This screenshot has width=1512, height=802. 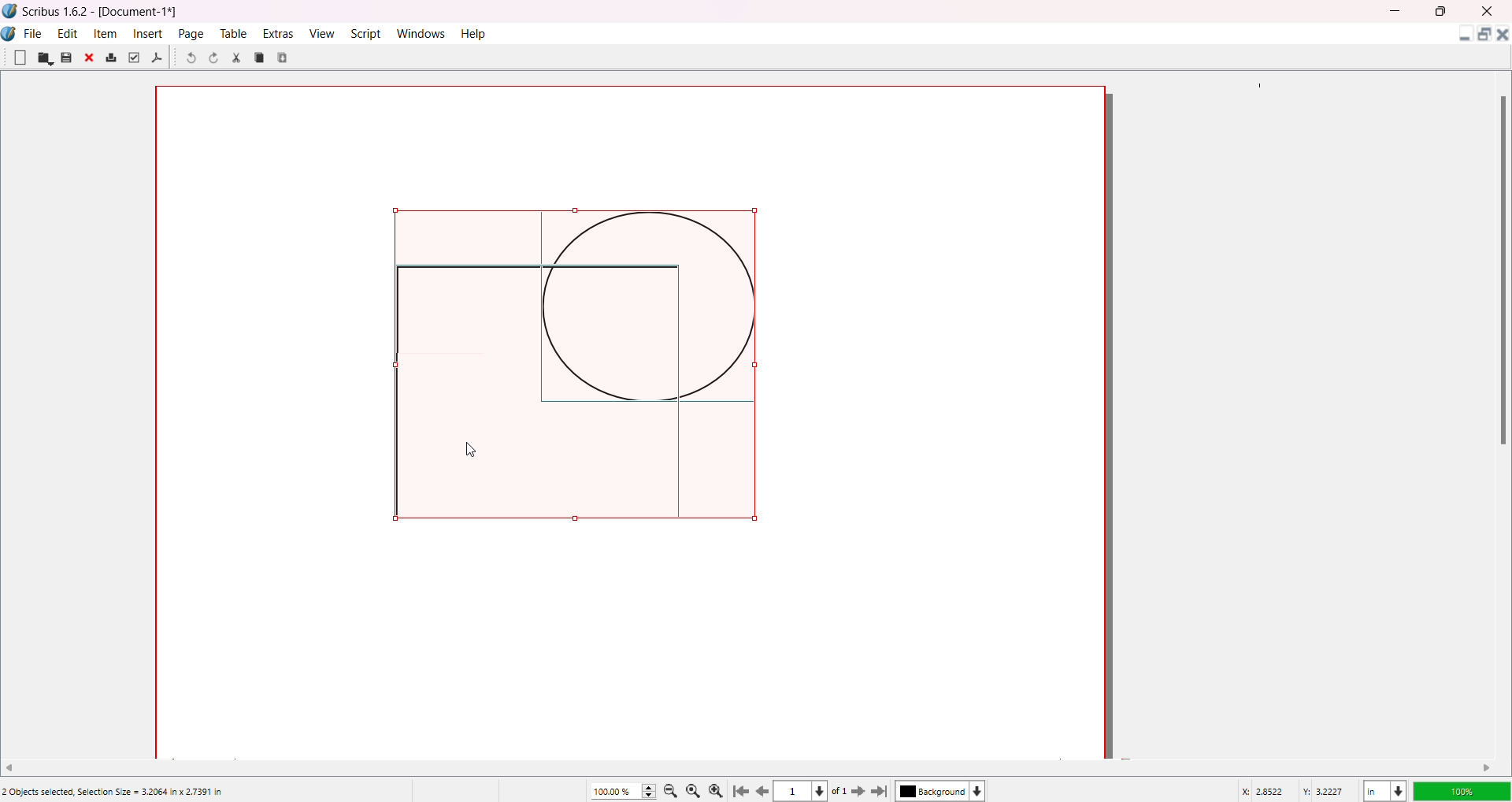 What do you see at coordinates (68, 32) in the screenshot?
I see `Edit` at bounding box center [68, 32].